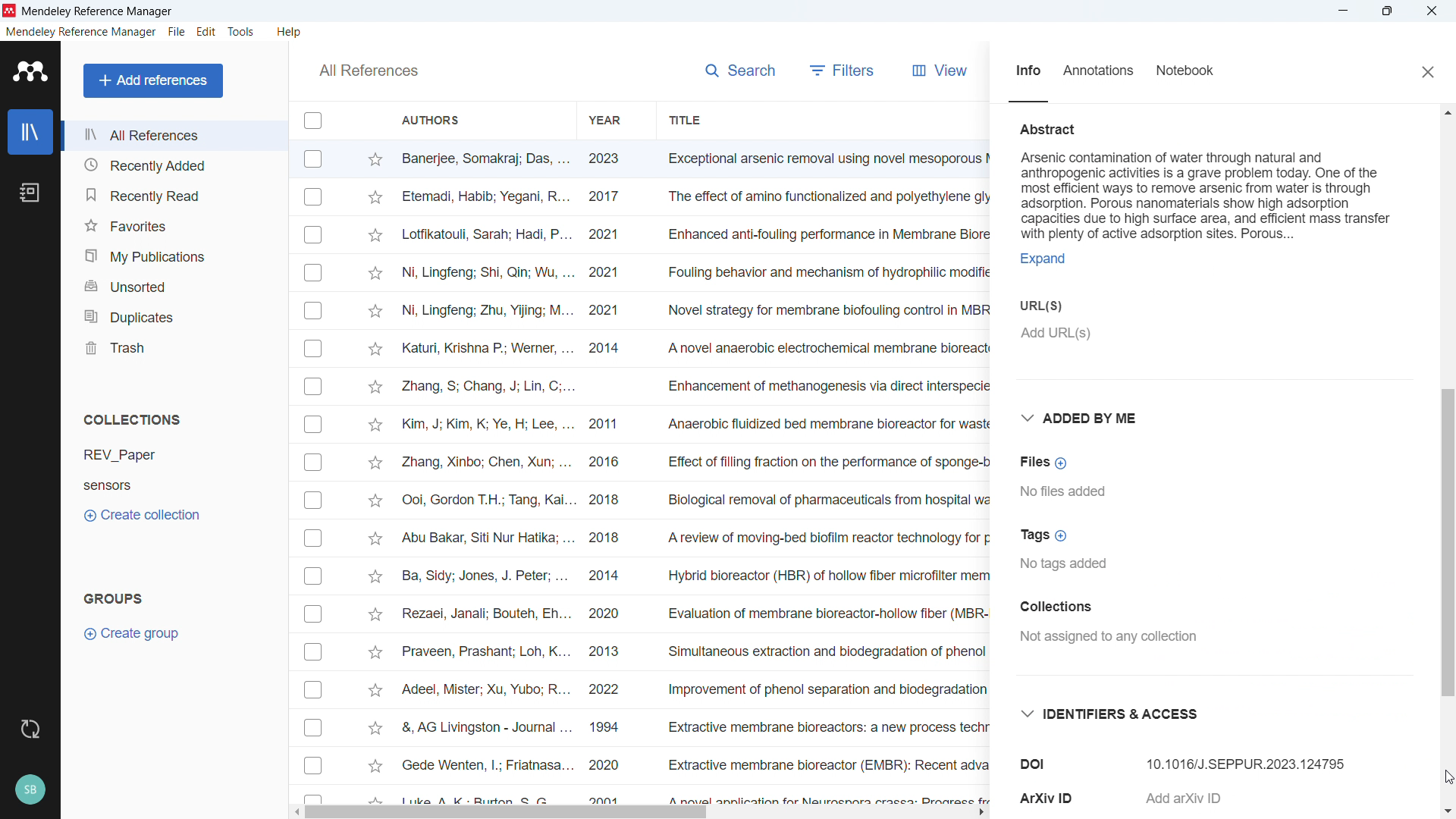  I want to click on ar xiv id, so click(1050, 795).